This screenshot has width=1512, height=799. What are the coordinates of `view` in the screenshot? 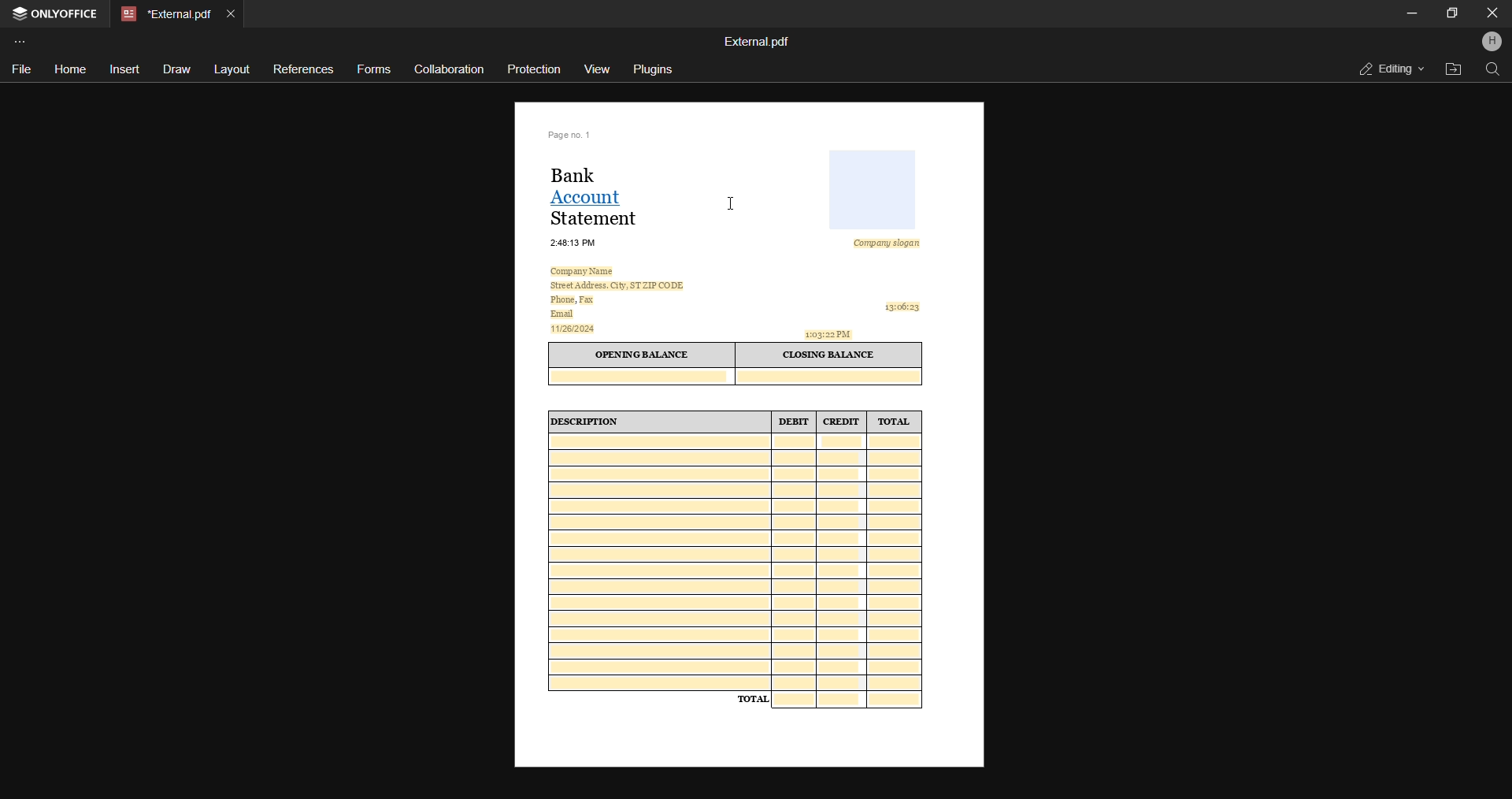 It's located at (598, 67).